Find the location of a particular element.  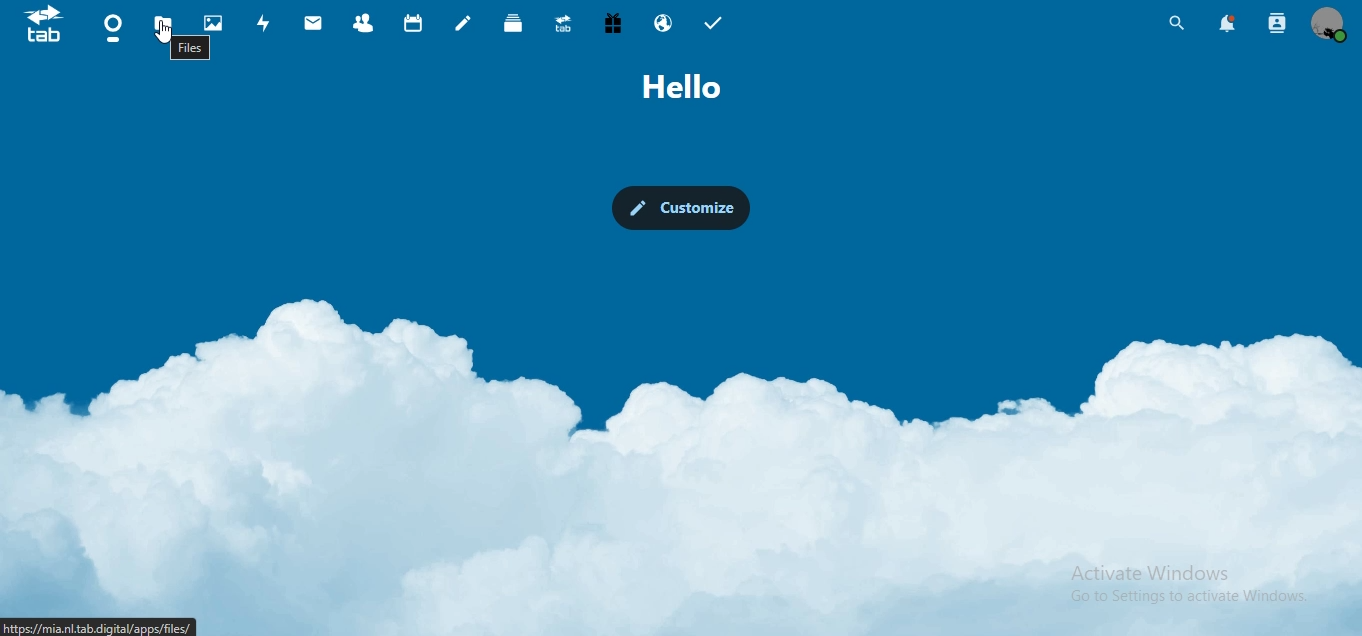

tasks is located at coordinates (715, 24).